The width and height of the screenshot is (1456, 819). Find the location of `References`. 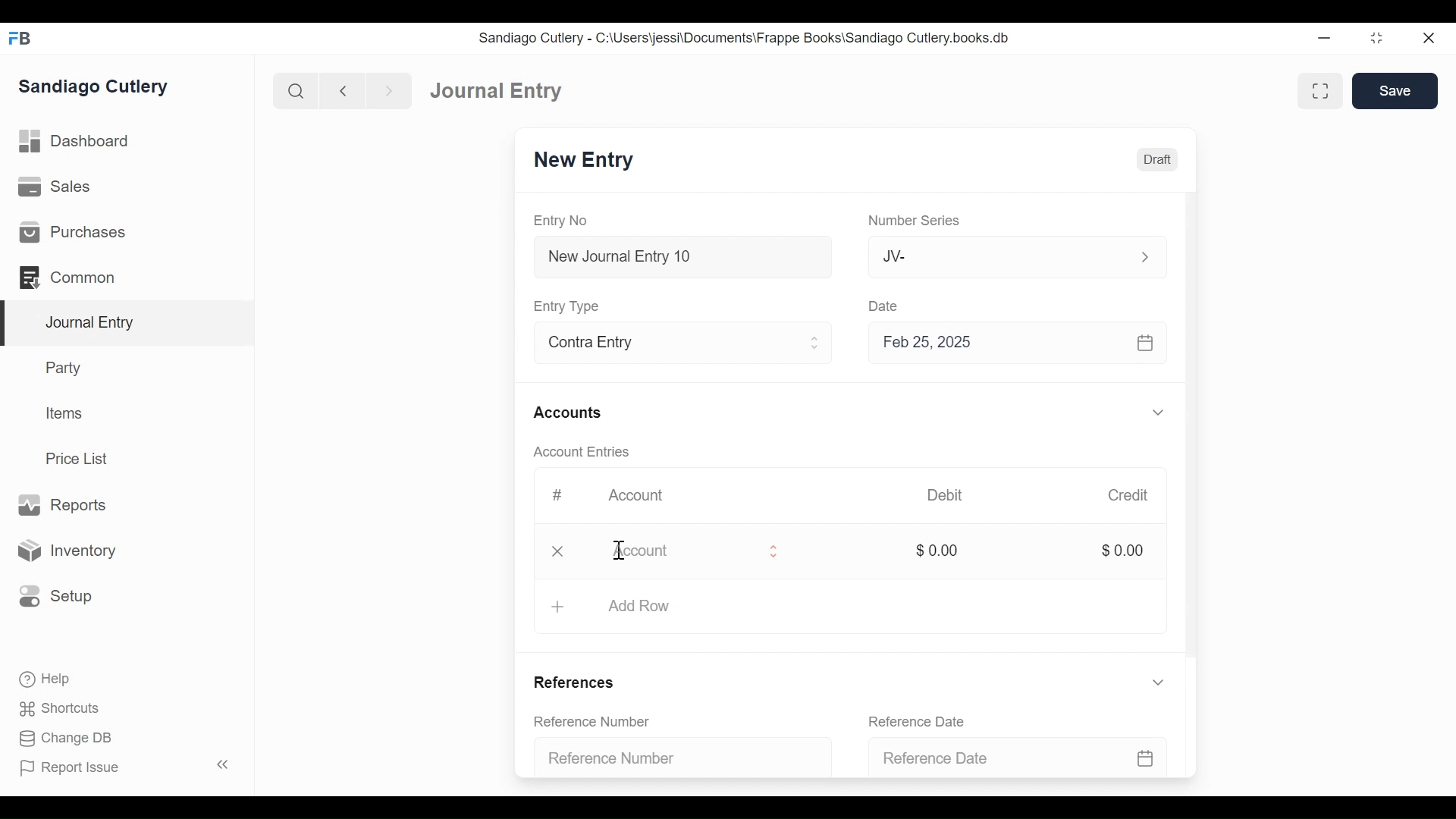

References is located at coordinates (575, 682).